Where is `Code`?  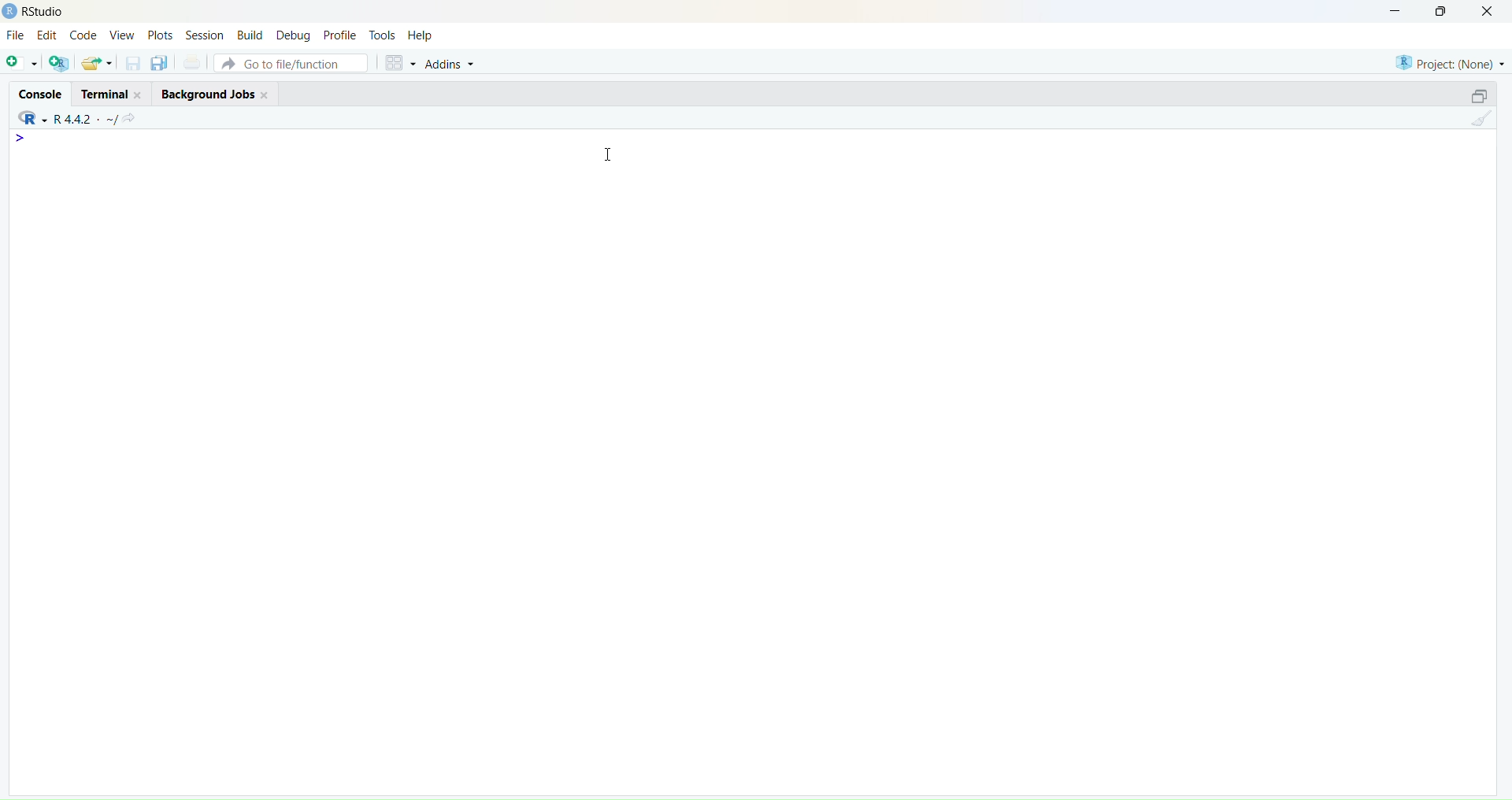 Code is located at coordinates (84, 35).